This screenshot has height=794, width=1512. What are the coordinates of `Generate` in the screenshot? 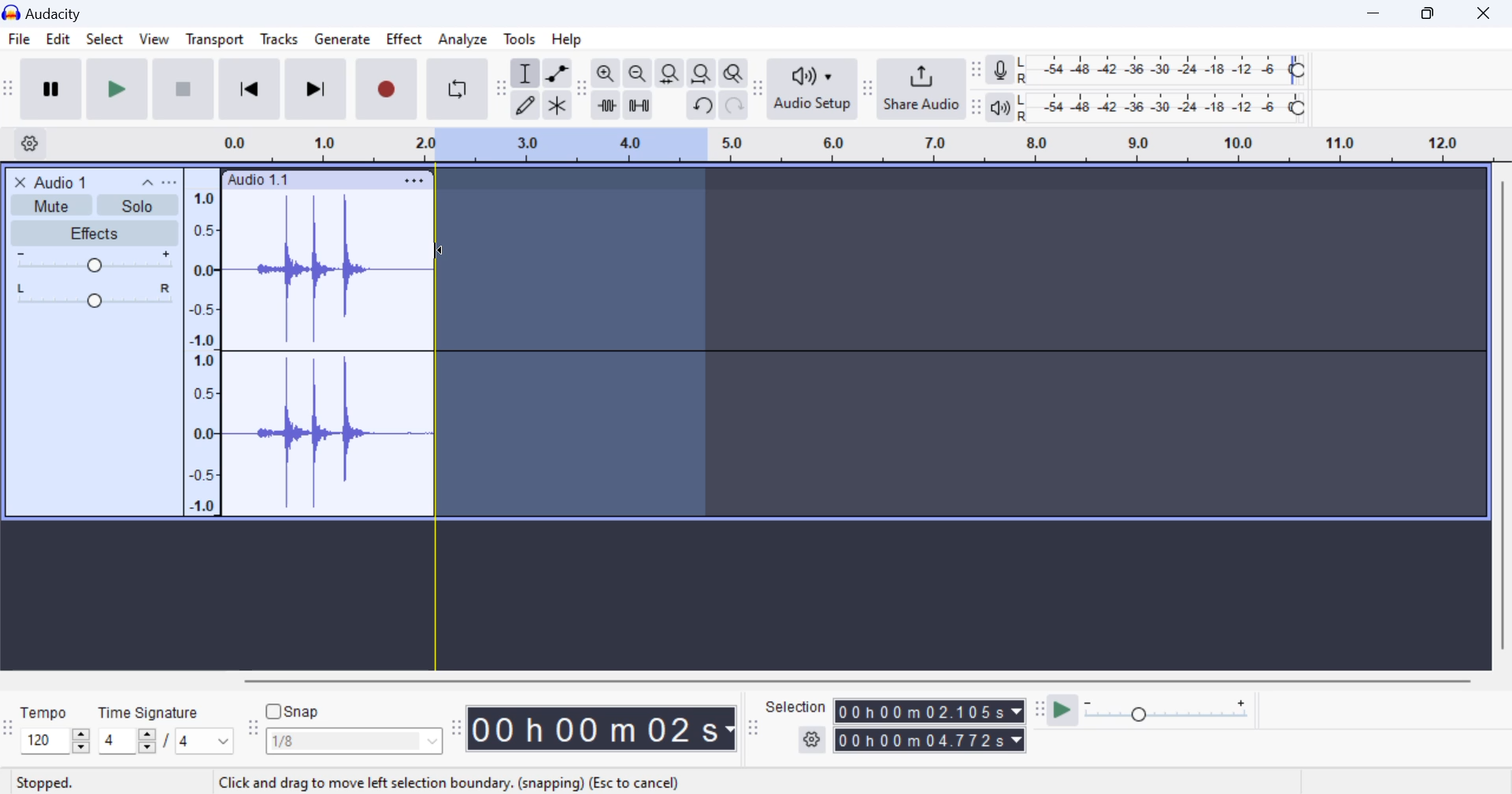 It's located at (342, 40).